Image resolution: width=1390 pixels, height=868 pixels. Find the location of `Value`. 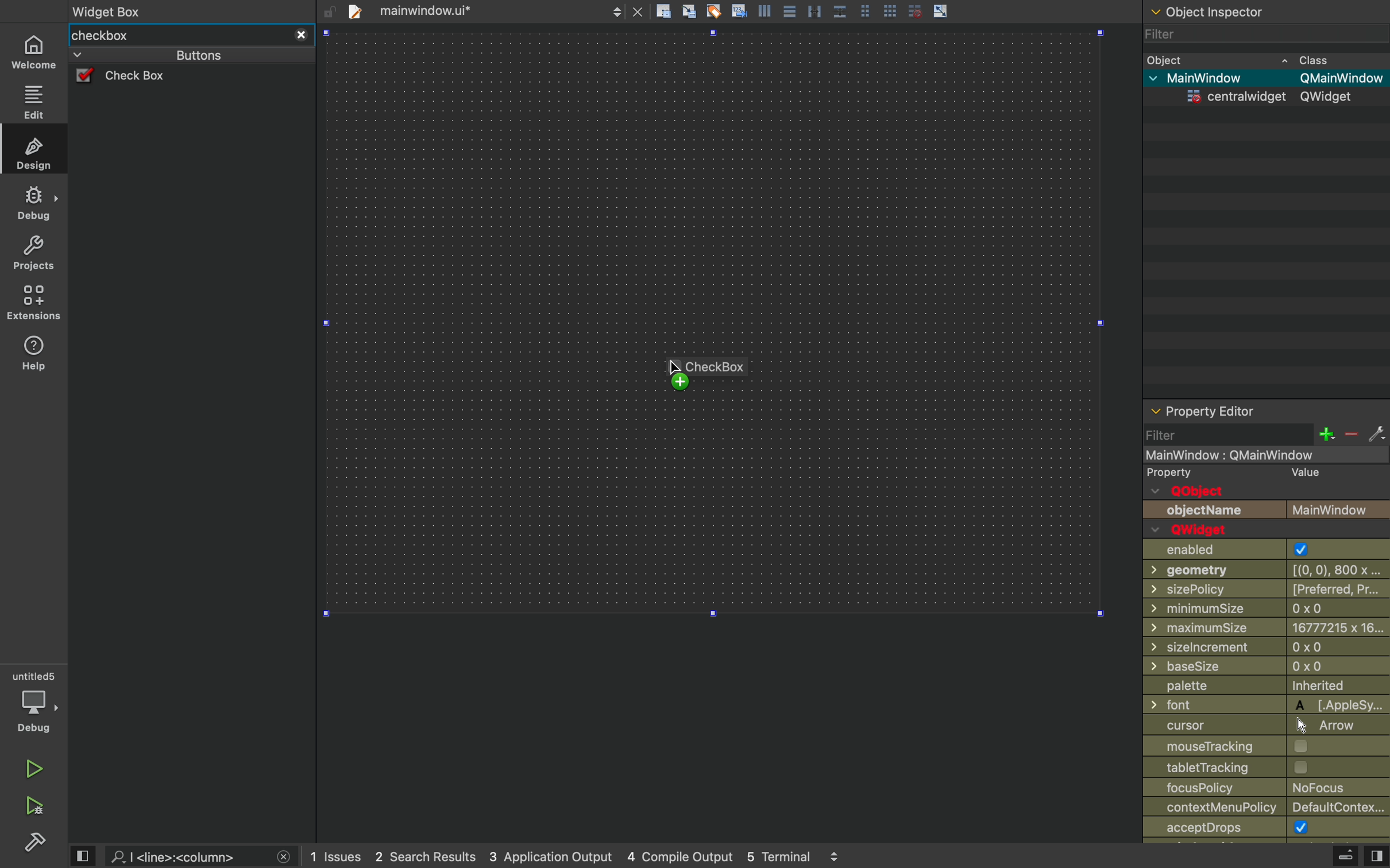

Value is located at coordinates (1306, 473).